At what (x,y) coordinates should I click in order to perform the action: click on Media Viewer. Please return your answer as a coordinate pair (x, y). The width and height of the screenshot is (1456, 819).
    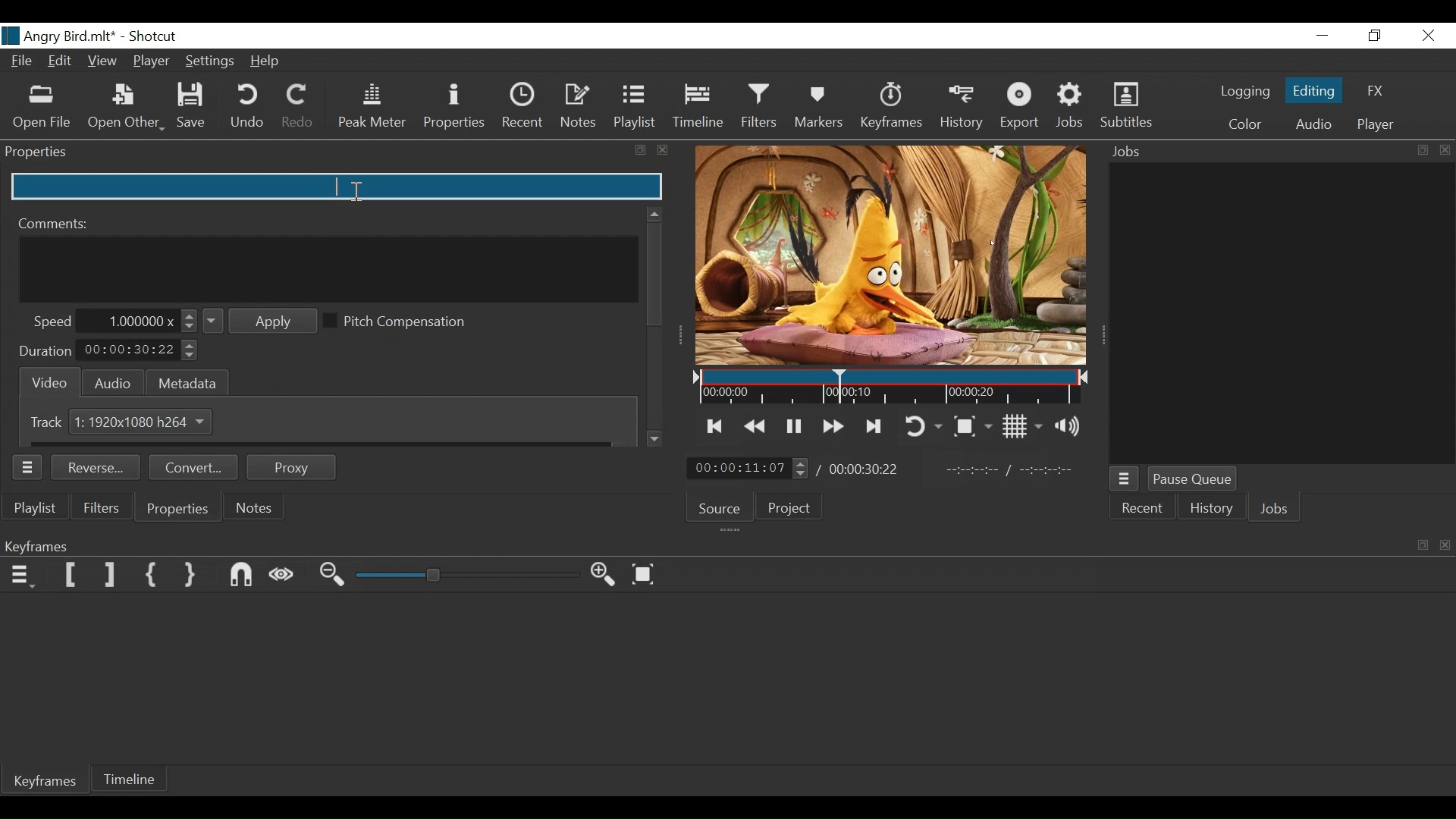
    Looking at the image, I should click on (890, 256).